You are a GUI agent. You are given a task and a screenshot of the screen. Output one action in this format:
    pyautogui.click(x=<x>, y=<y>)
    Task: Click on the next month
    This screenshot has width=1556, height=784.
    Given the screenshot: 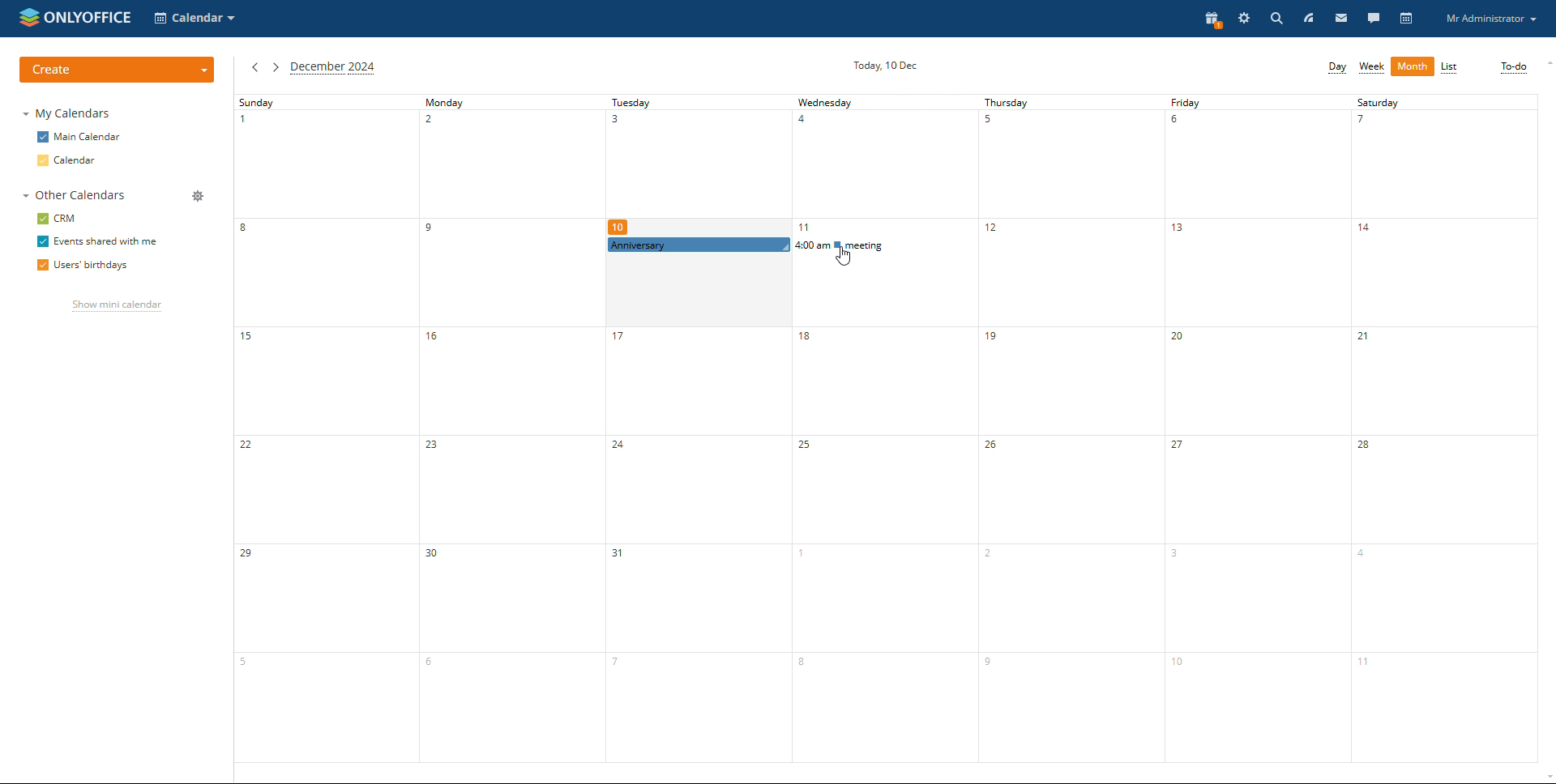 What is the action you would take?
    pyautogui.click(x=274, y=67)
    